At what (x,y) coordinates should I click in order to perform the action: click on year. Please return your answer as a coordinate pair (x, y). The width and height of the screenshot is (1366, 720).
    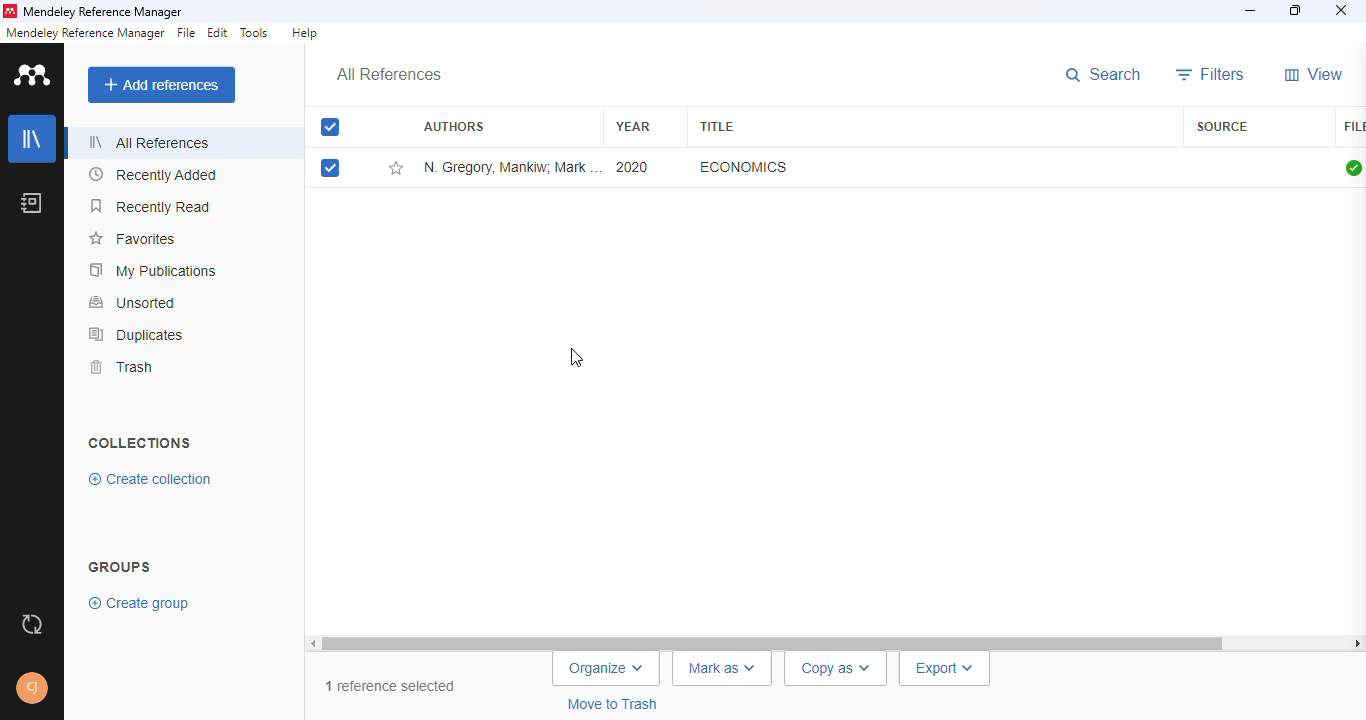
    Looking at the image, I should click on (633, 127).